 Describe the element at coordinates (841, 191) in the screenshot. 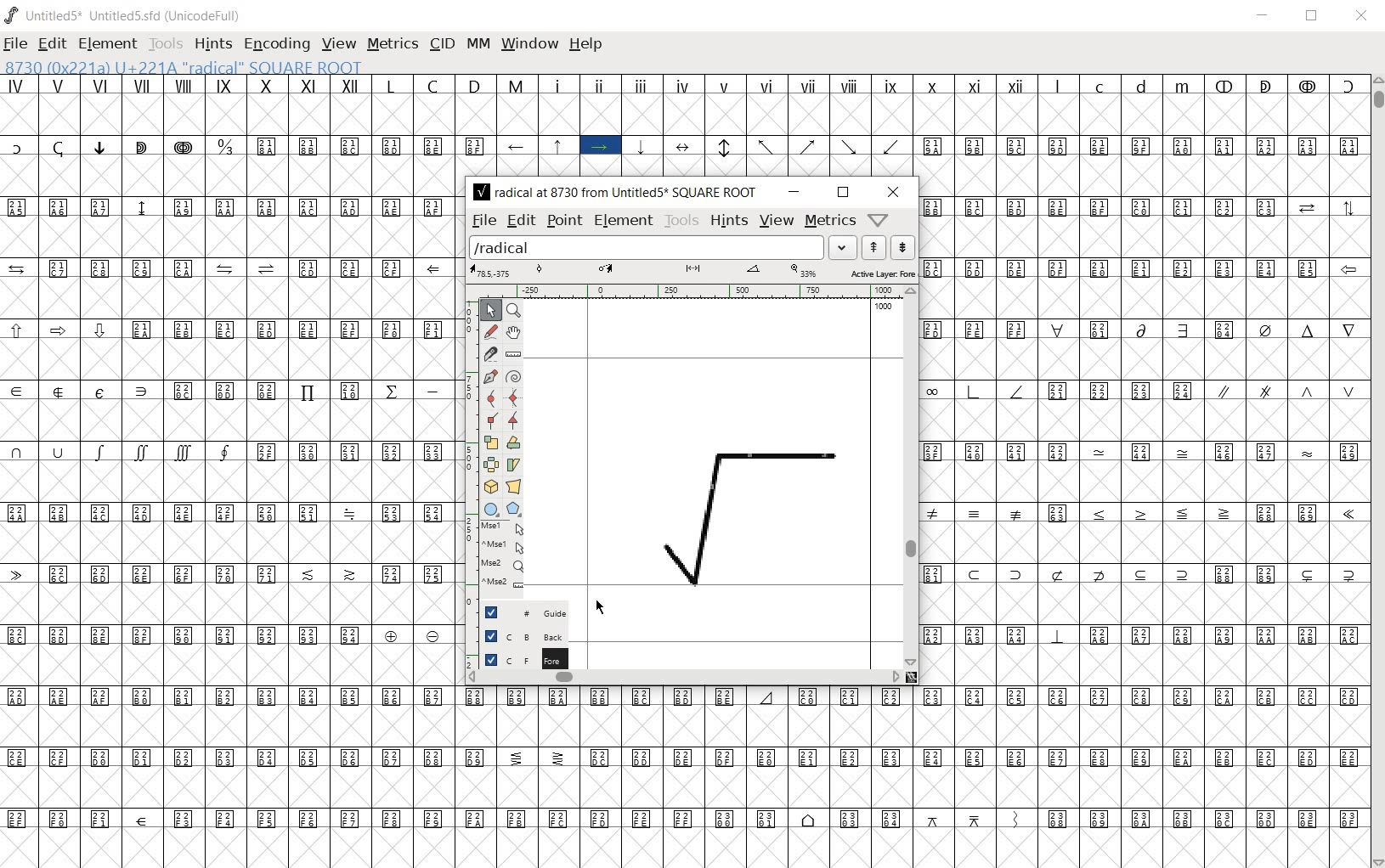

I see `restore down` at that location.